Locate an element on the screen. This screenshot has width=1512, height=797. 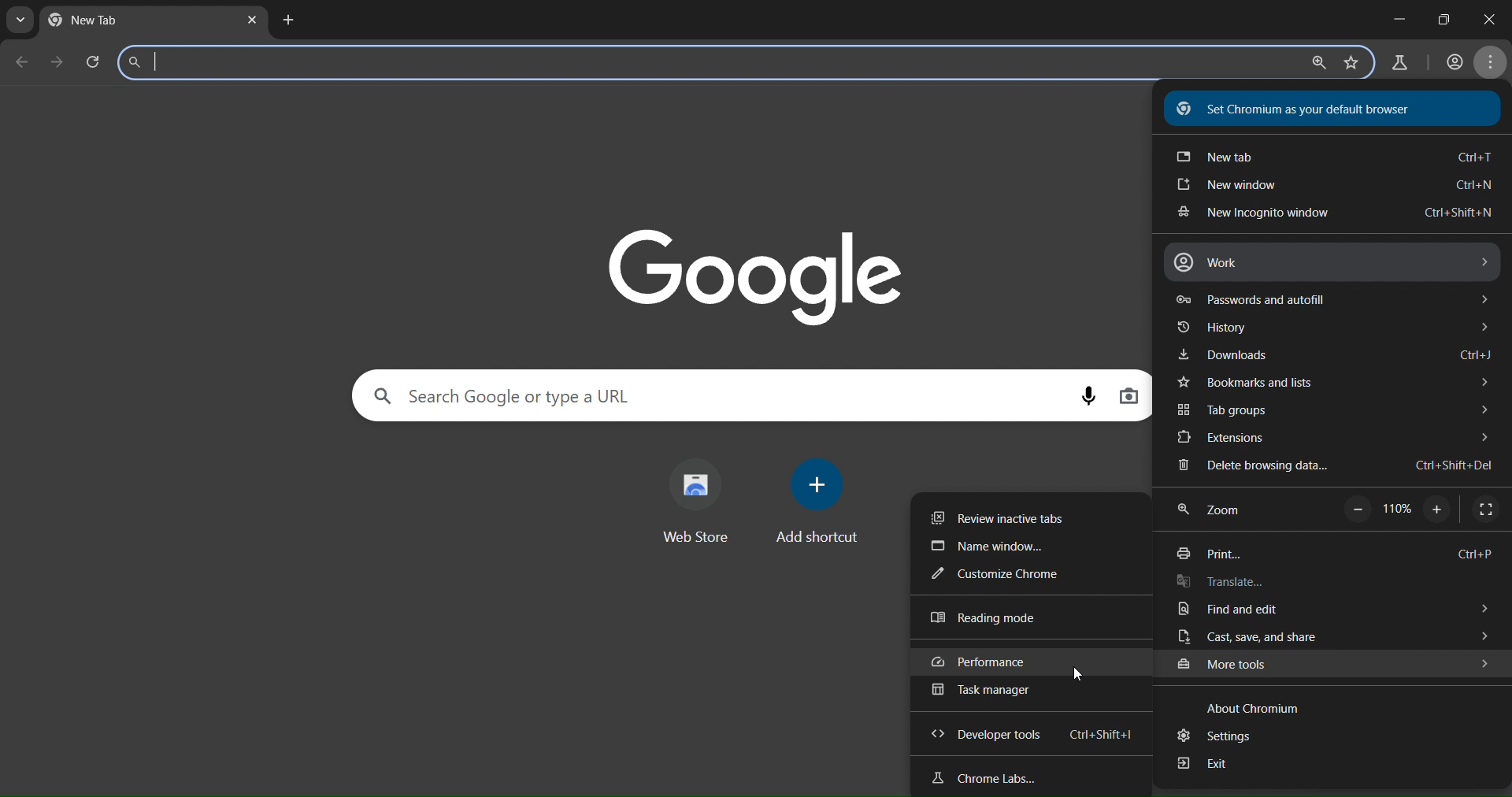
task manager is located at coordinates (987, 693).